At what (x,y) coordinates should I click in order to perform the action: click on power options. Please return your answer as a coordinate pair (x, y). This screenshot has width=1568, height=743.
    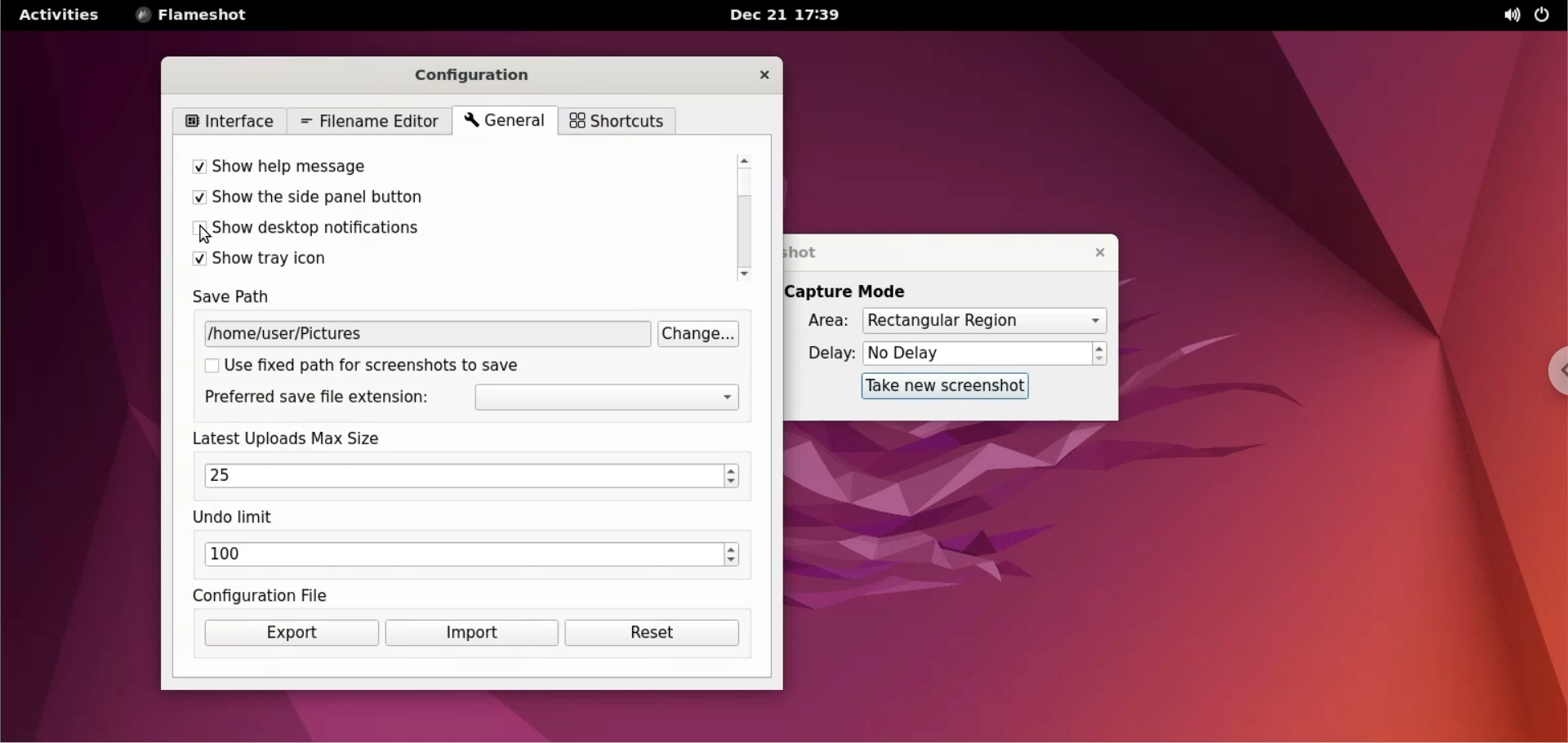
    Looking at the image, I should click on (1545, 16).